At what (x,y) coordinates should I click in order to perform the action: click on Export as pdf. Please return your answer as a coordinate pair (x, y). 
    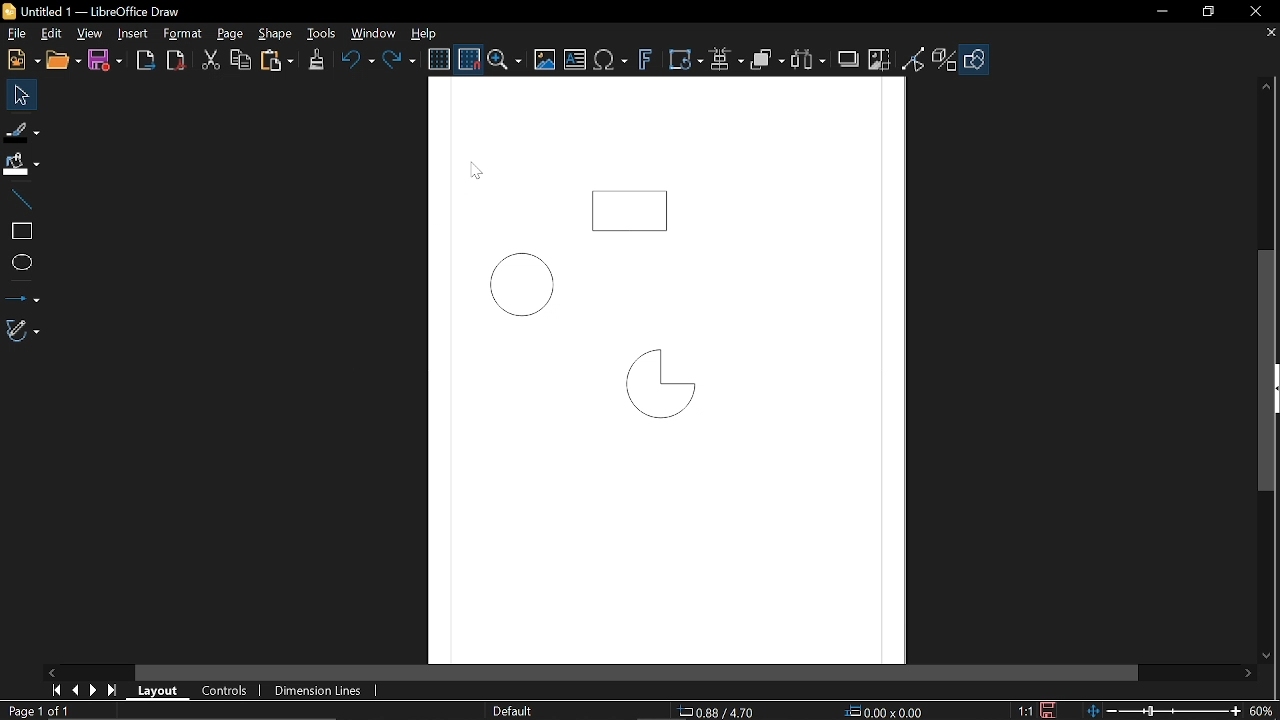
    Looking at the image, I should click on (175, 61).